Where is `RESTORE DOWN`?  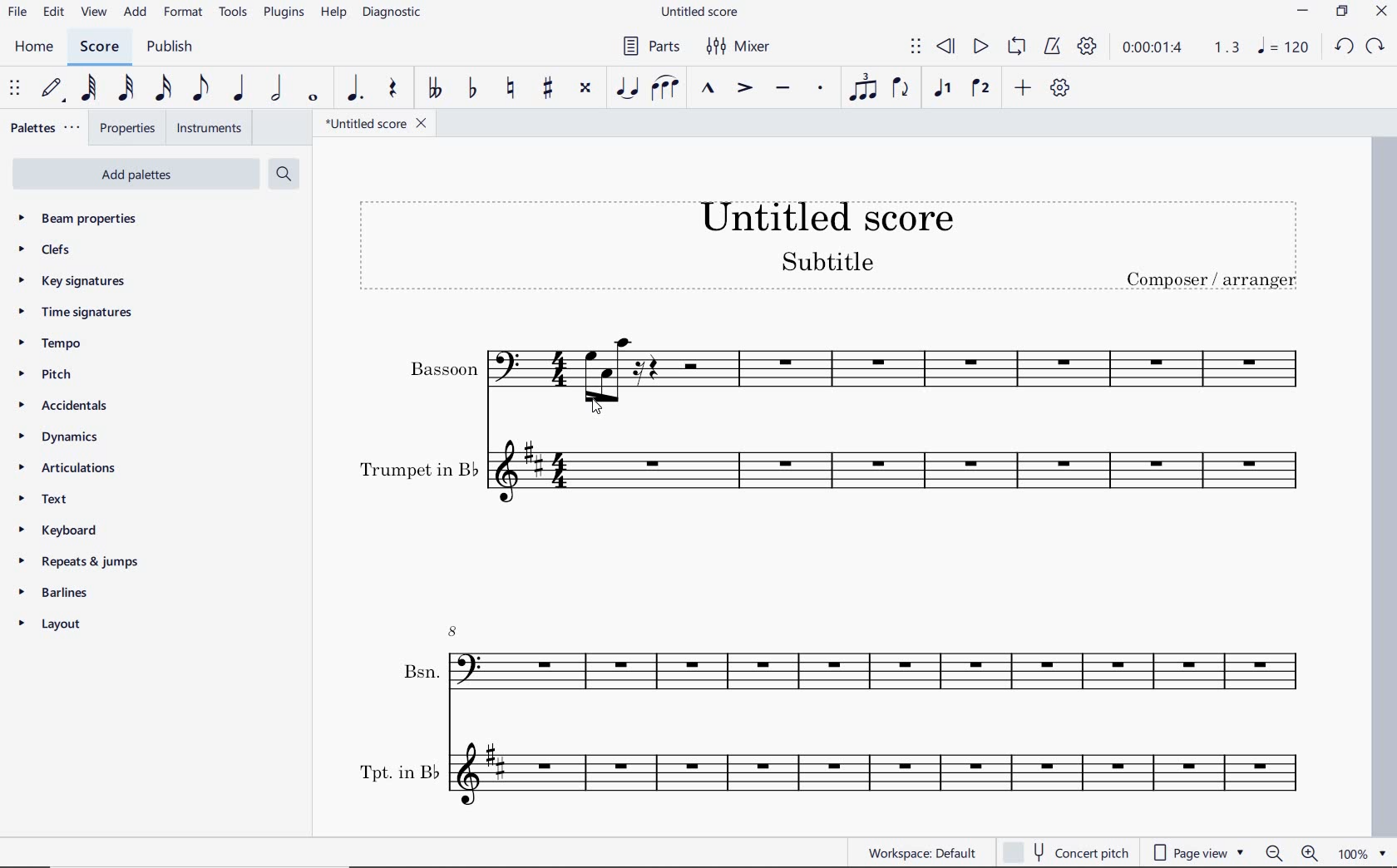
RESTORE DOWN is located at coordinates (1341, 11).